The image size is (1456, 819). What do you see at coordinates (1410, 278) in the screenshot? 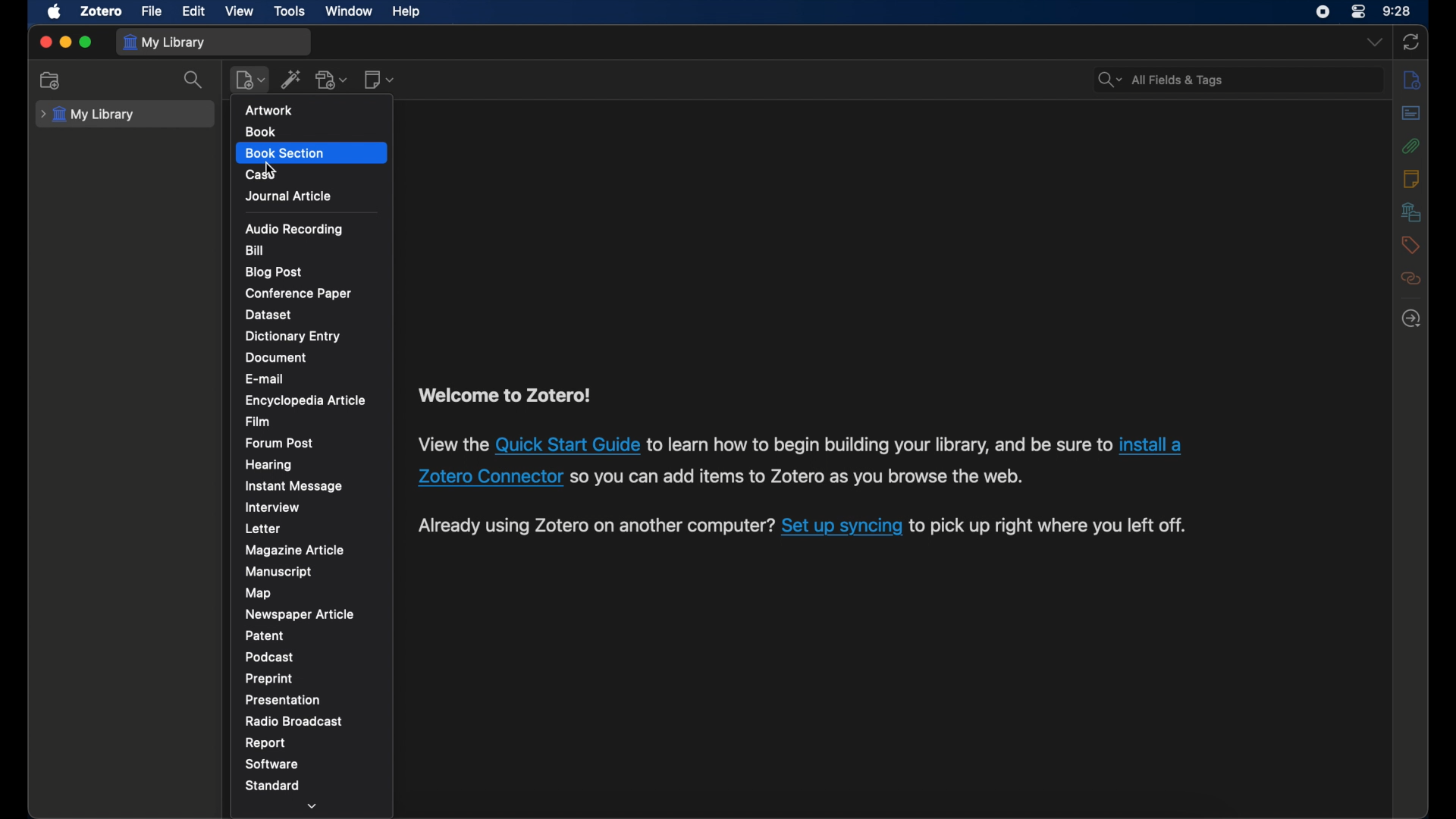
I see `related` at bounding box center [1410, 278].